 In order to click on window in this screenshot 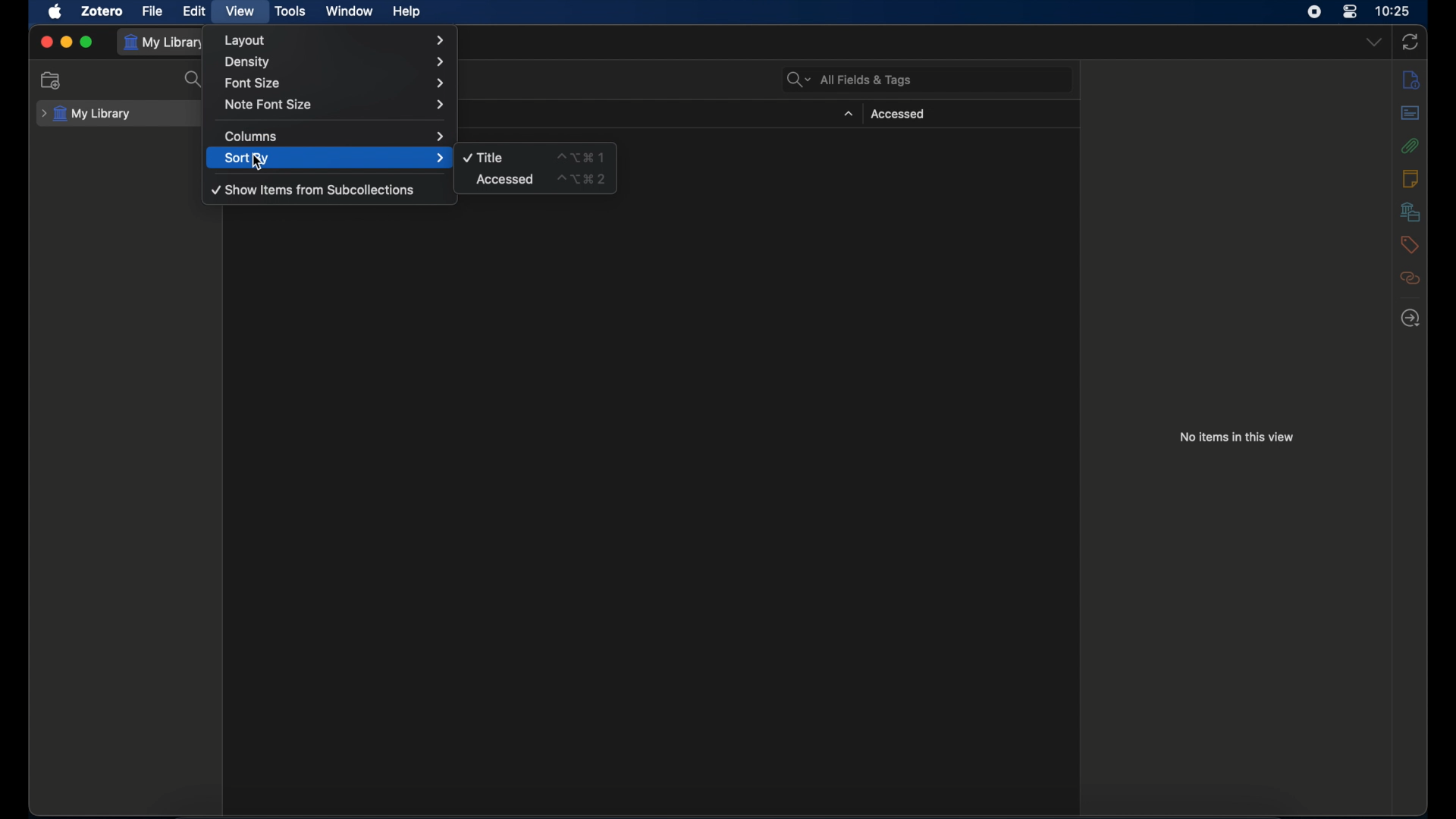, I will do `click(350, 11)`.